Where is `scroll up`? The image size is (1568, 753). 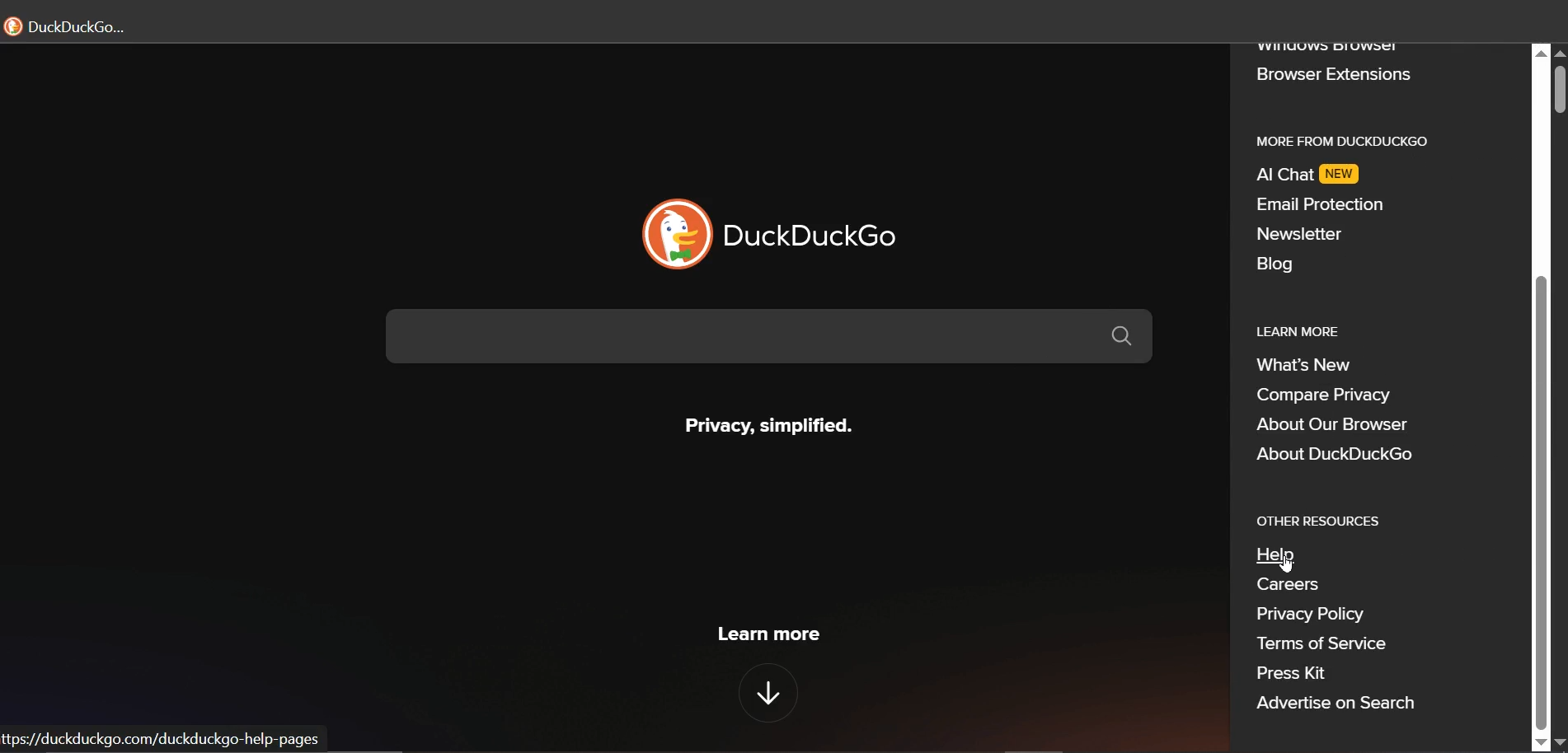 scroll up is located at coordinates (1558, 54).